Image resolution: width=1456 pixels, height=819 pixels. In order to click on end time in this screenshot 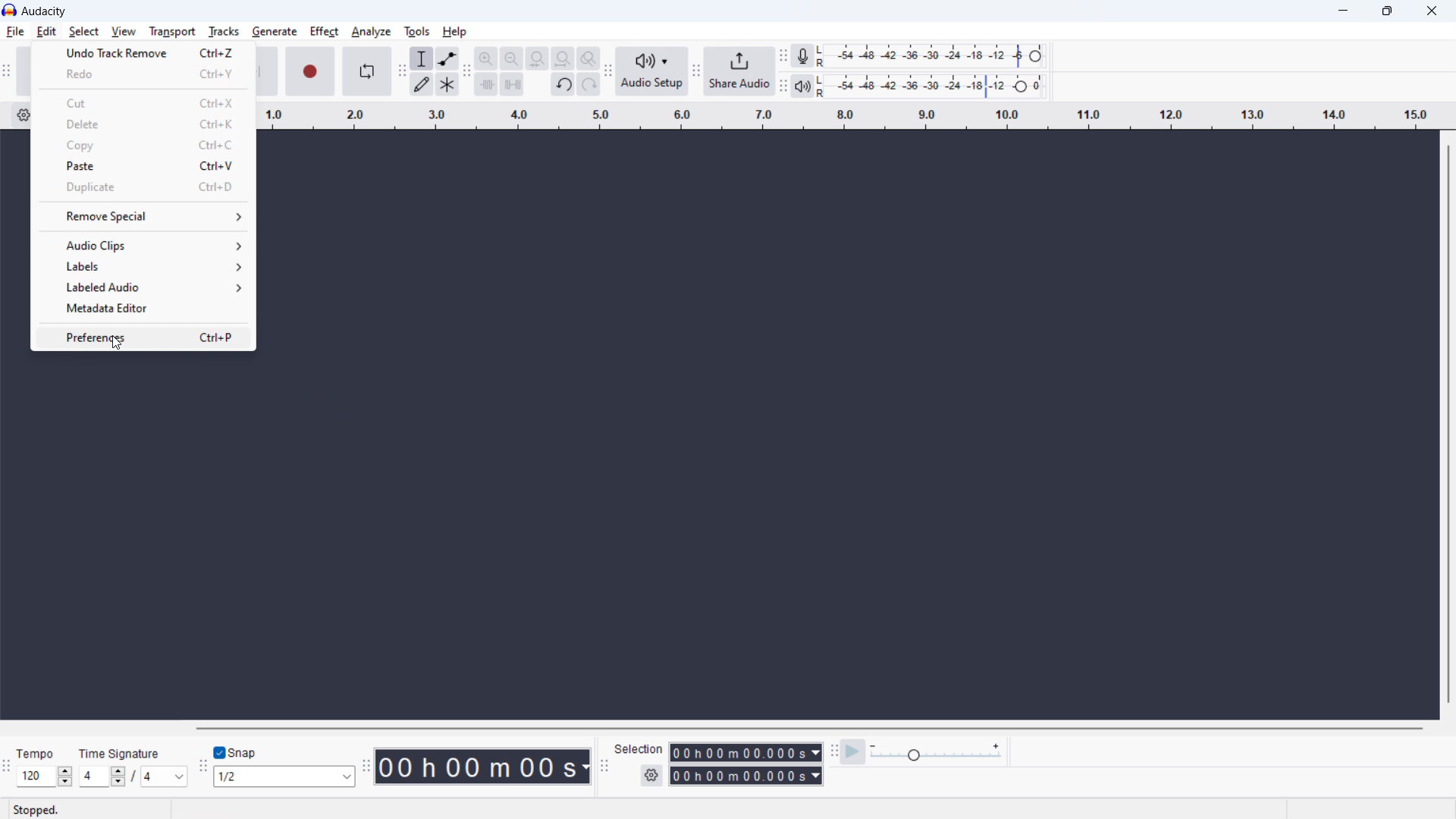, I will do `click(745, 777)`.